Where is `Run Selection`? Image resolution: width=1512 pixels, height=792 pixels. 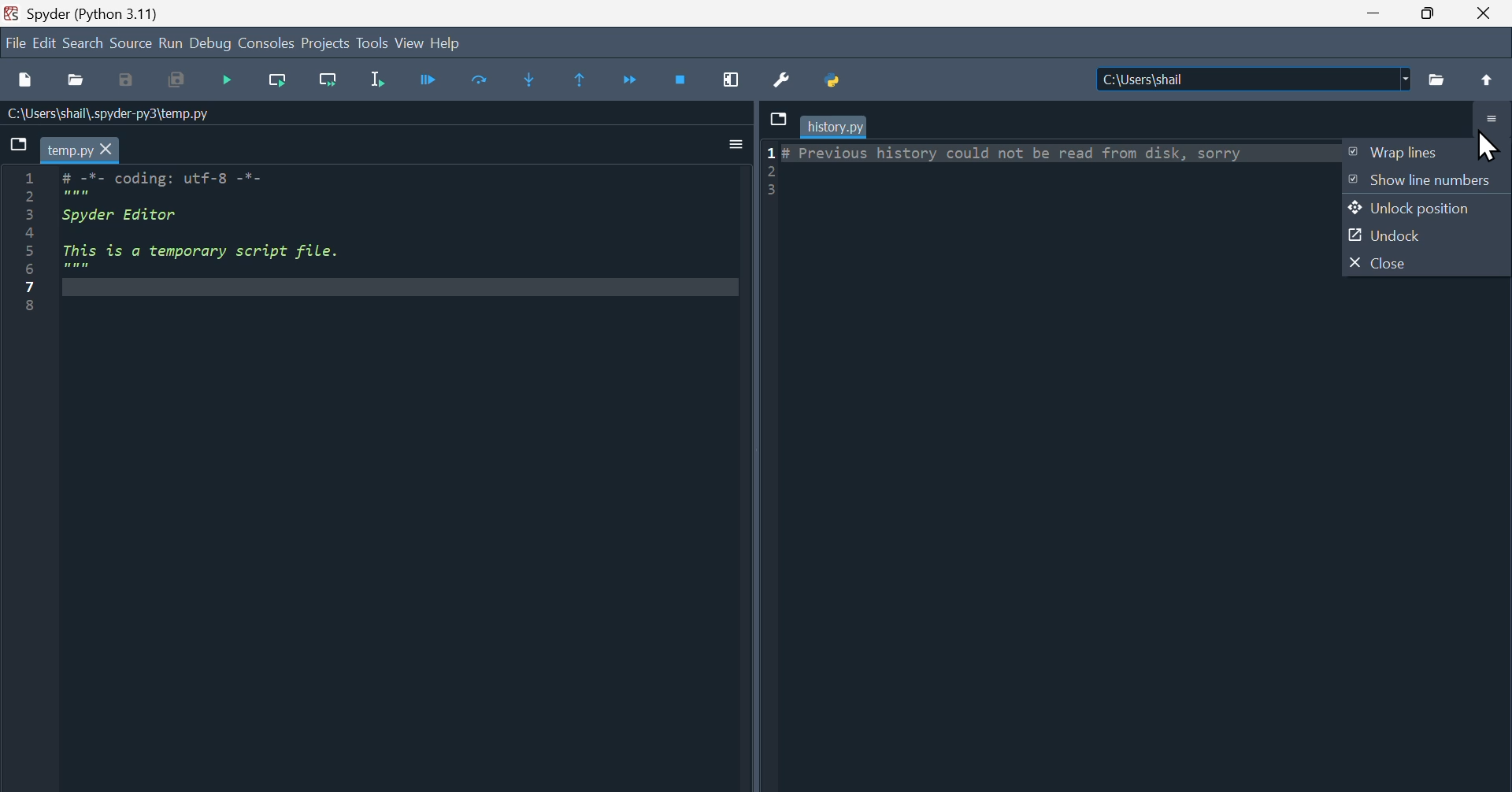
Run Selection is located at coordinates (385, 80).